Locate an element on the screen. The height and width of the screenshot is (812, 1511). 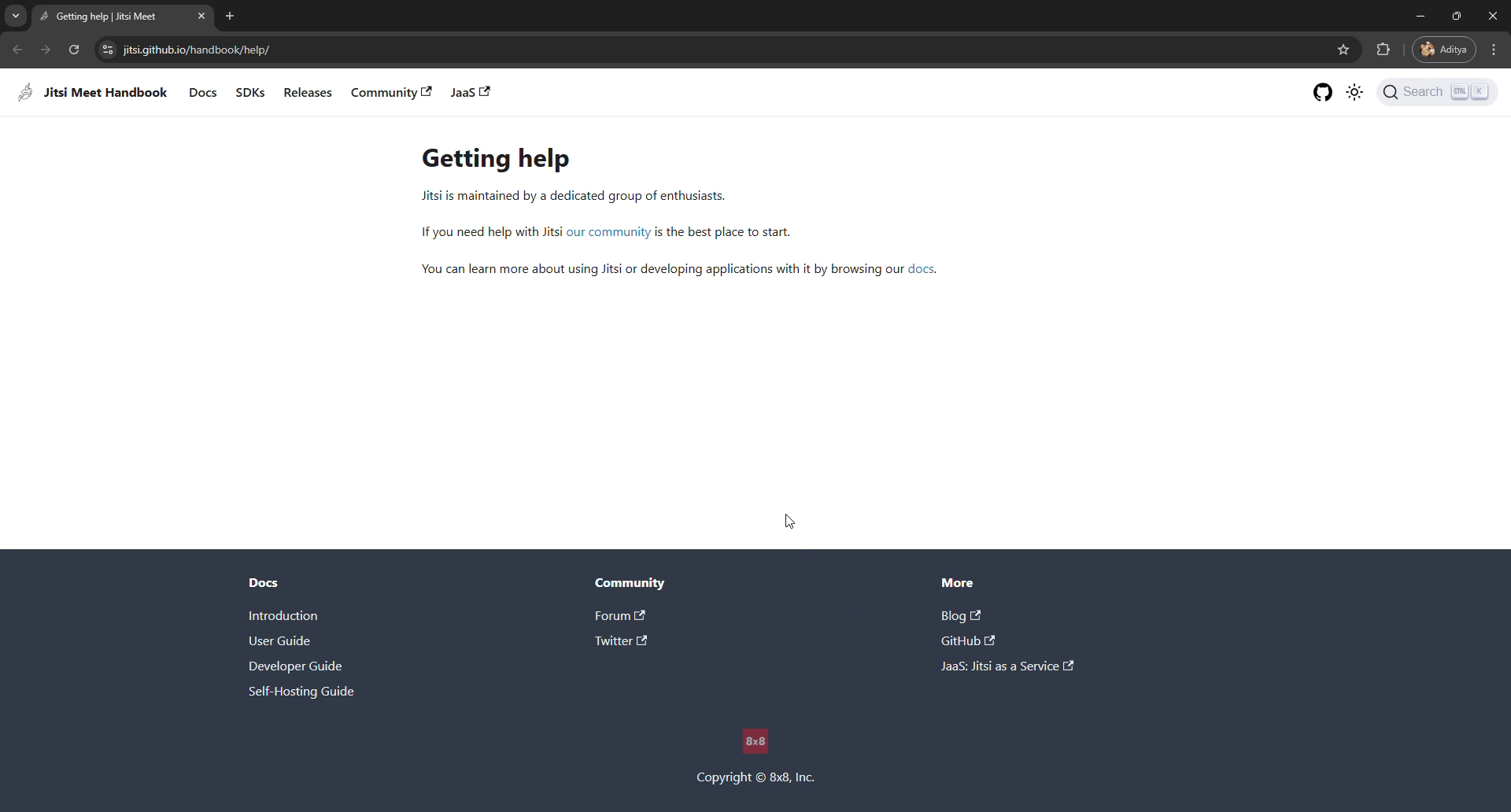
close tab is located at coordinates (204, 16).